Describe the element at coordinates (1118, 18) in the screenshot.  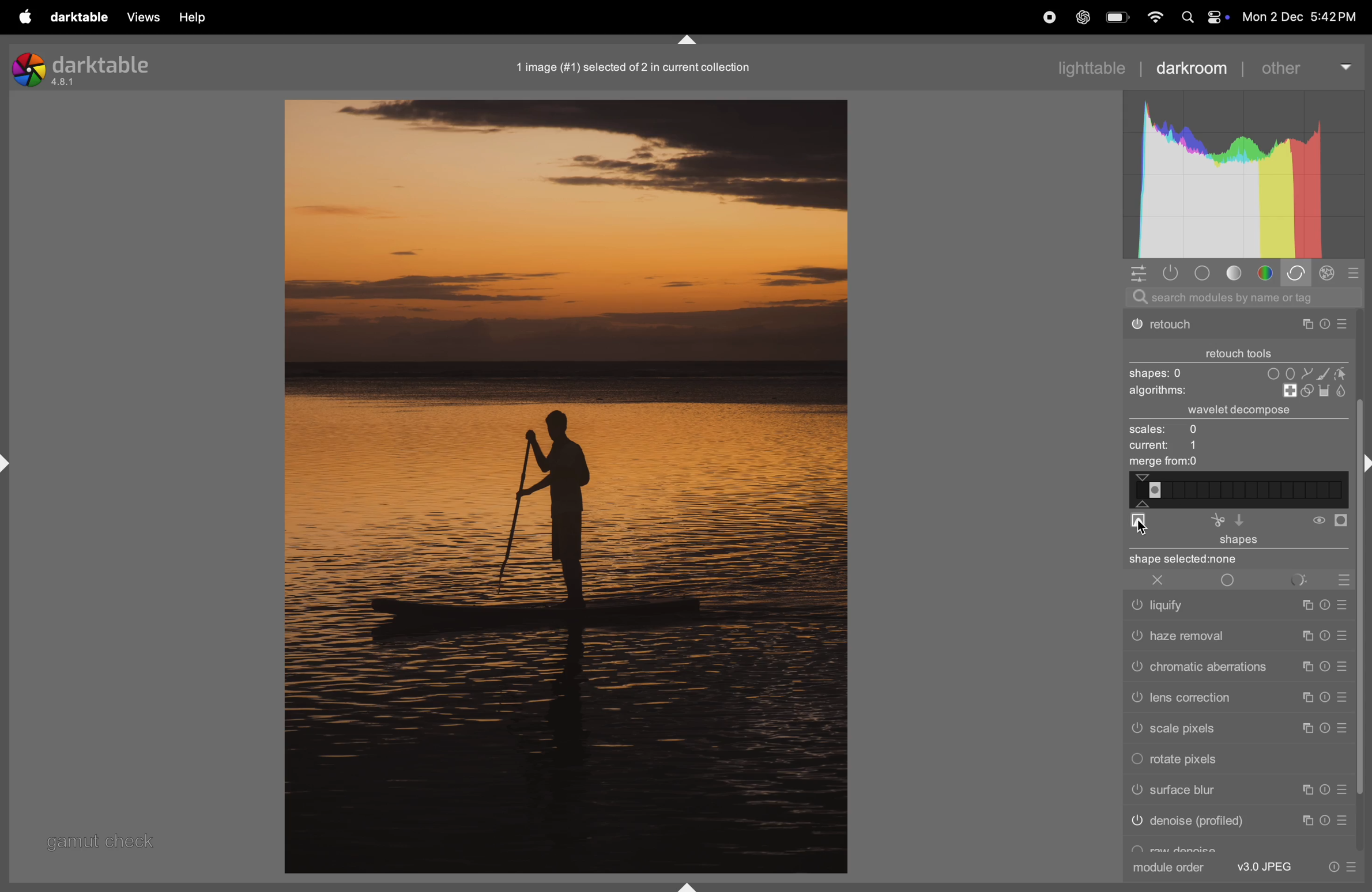
I see `battery` at that location.